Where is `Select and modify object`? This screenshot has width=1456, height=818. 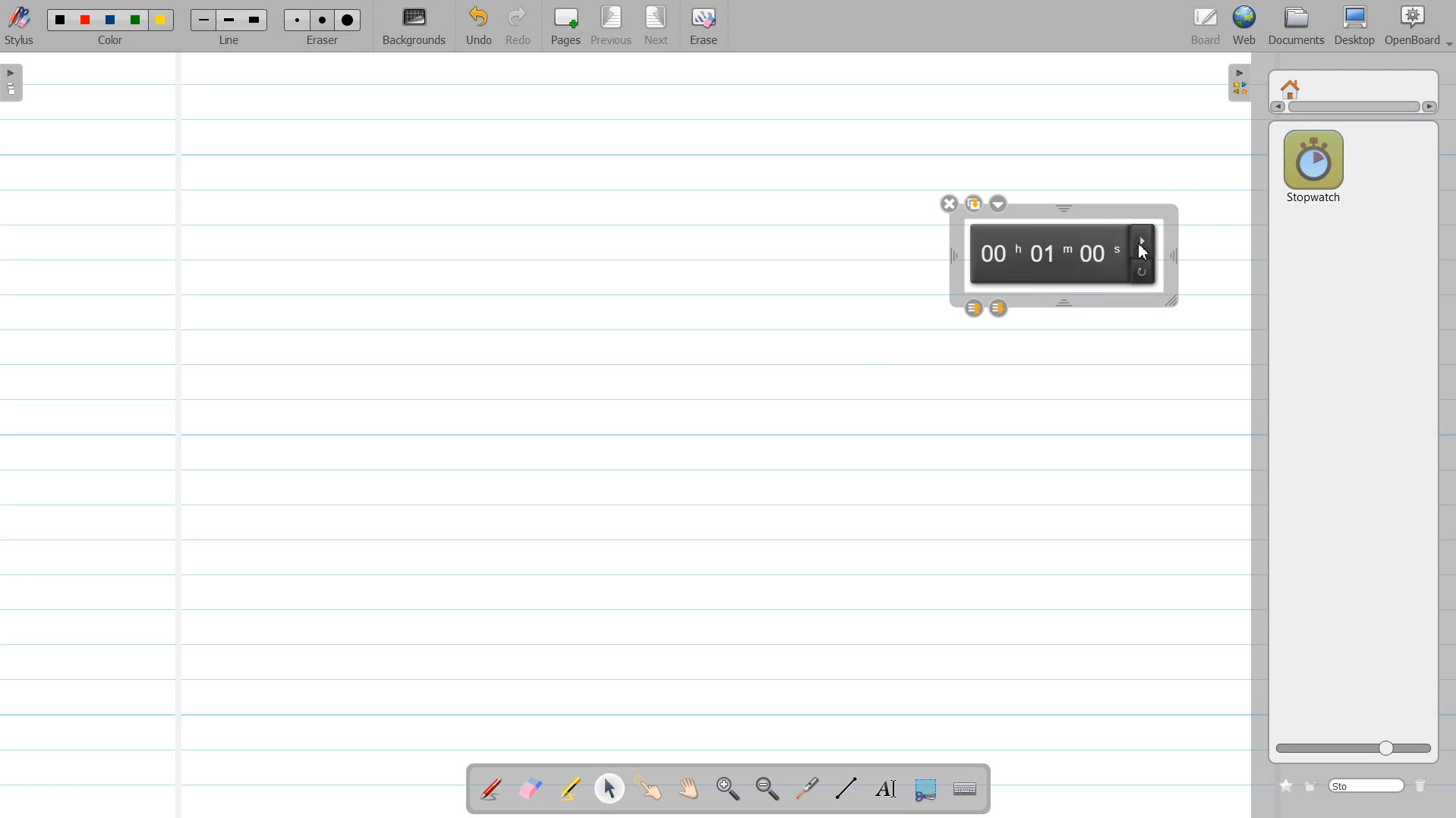
Select and modify object is located at coordinates (609, 788).